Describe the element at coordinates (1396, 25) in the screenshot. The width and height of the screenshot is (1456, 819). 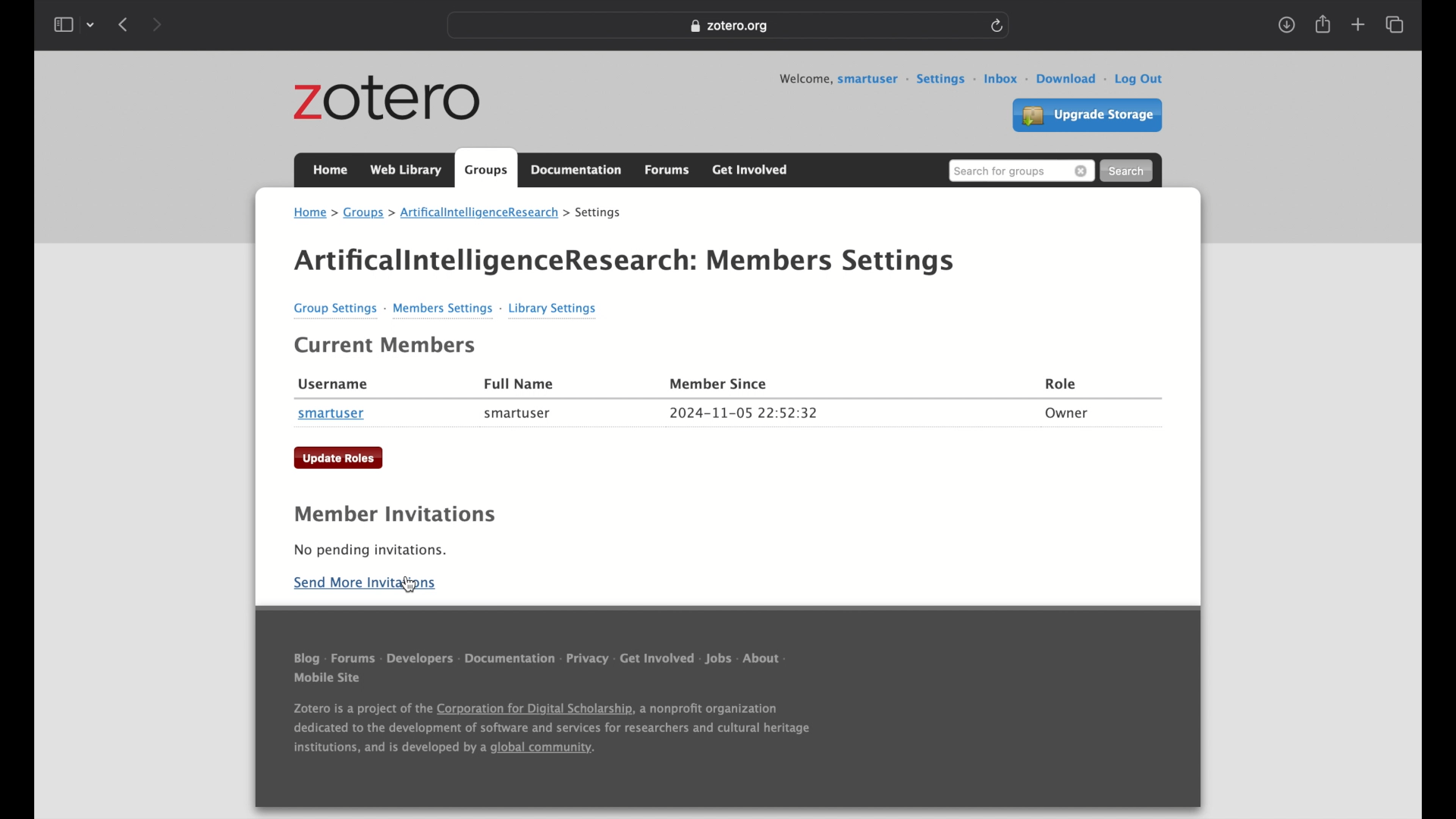
I see `show tab overview` at that location.